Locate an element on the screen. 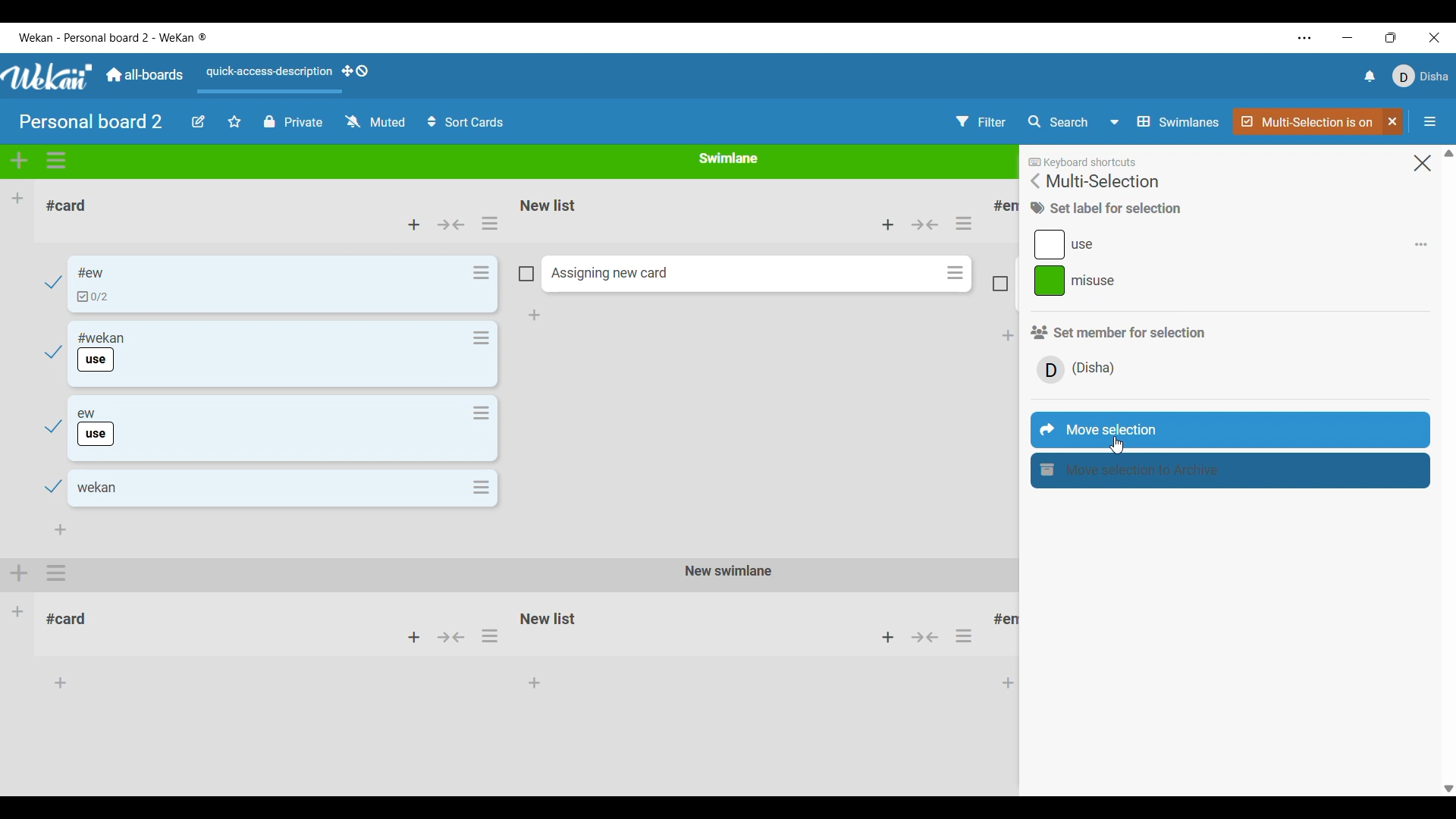 This screenshot has width=1456, height=819. Change tab size is located at coordinates (1391, 37).